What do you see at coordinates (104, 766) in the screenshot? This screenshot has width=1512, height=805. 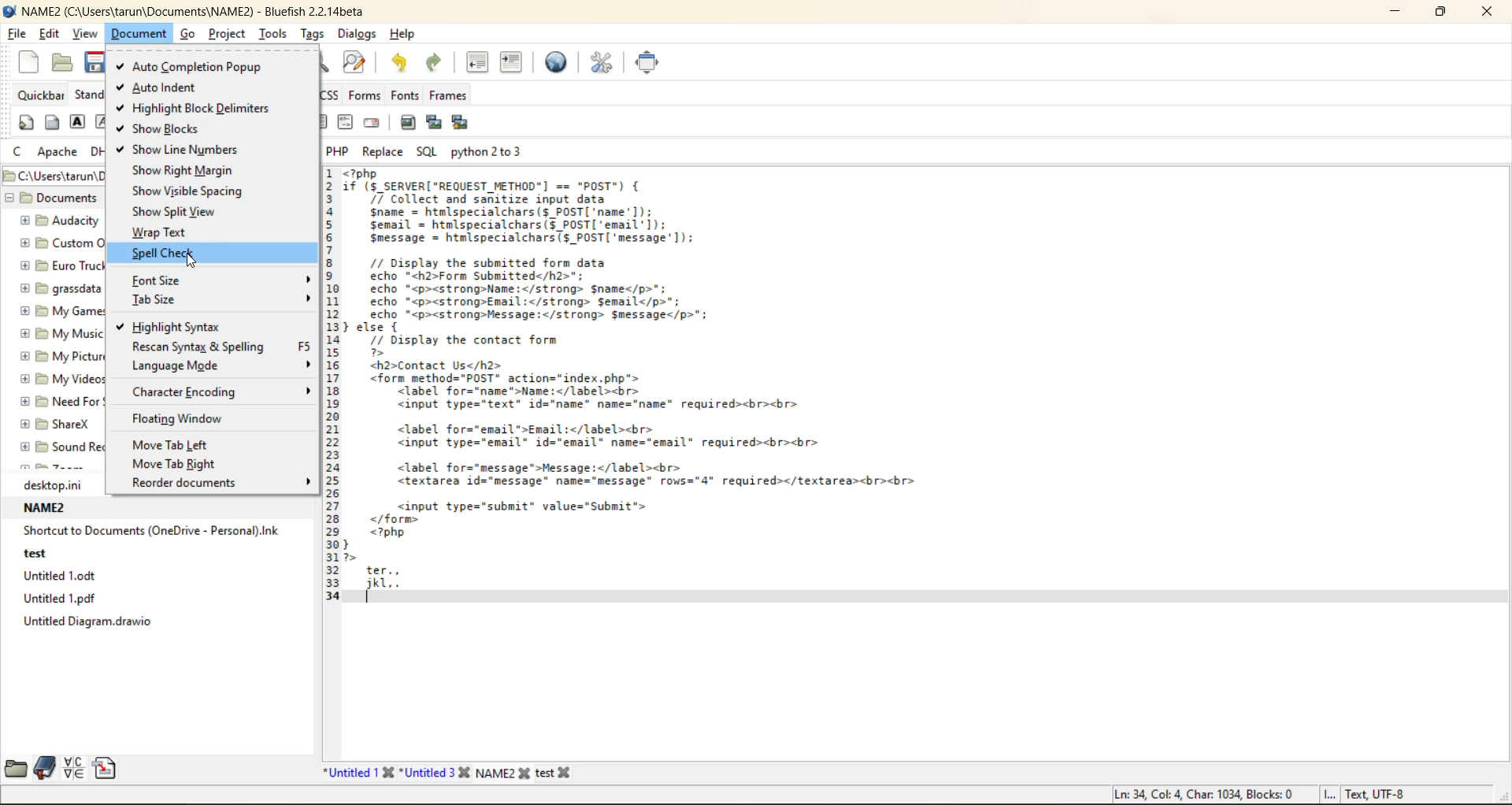 I see `snippets` at bounding box center [104, 766].